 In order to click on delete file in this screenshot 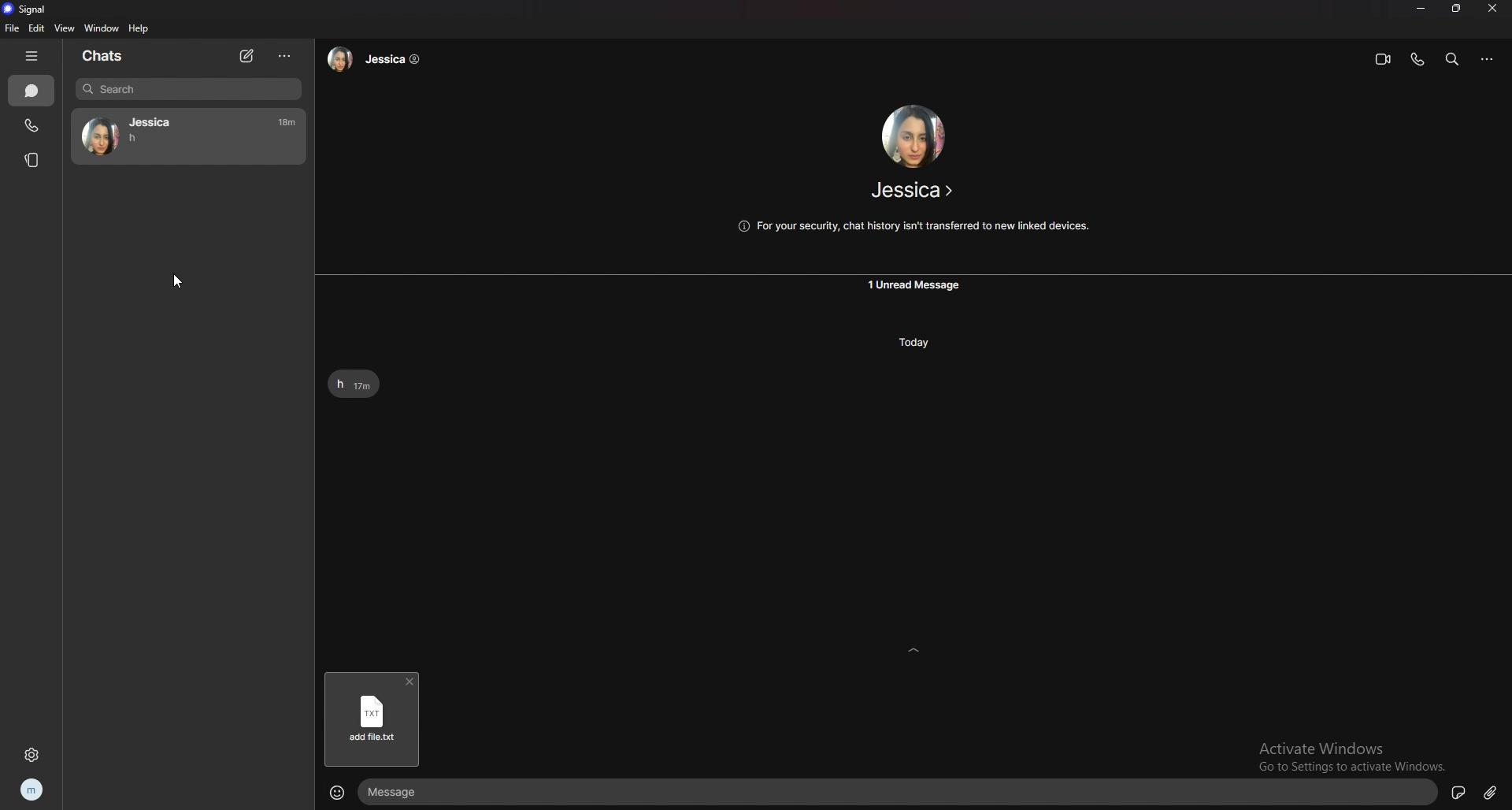, I will do `click(409, 679)`.